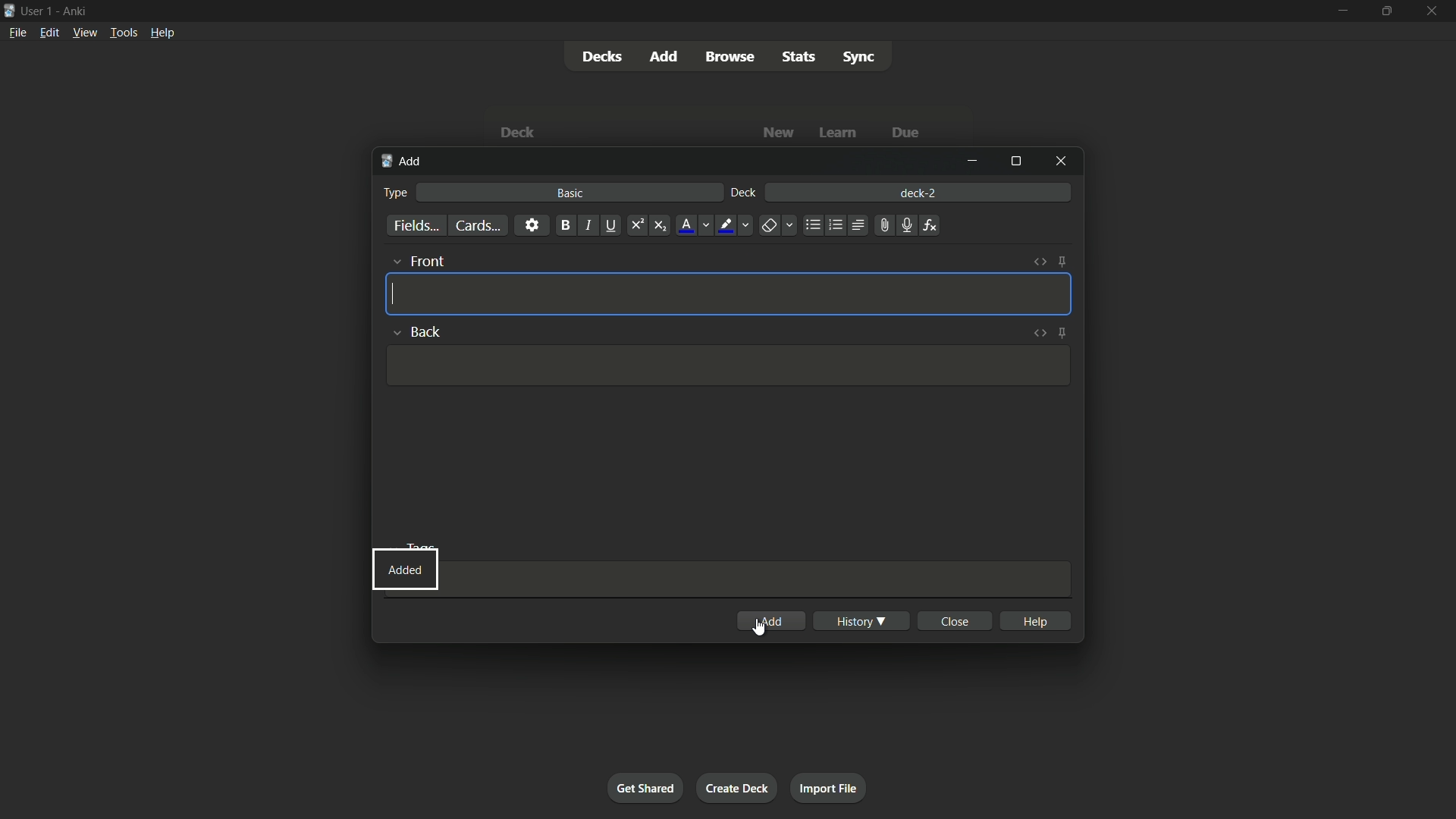  Describe the element at coordinates (570, 193) in the screenshot. I see `basic` at that location.